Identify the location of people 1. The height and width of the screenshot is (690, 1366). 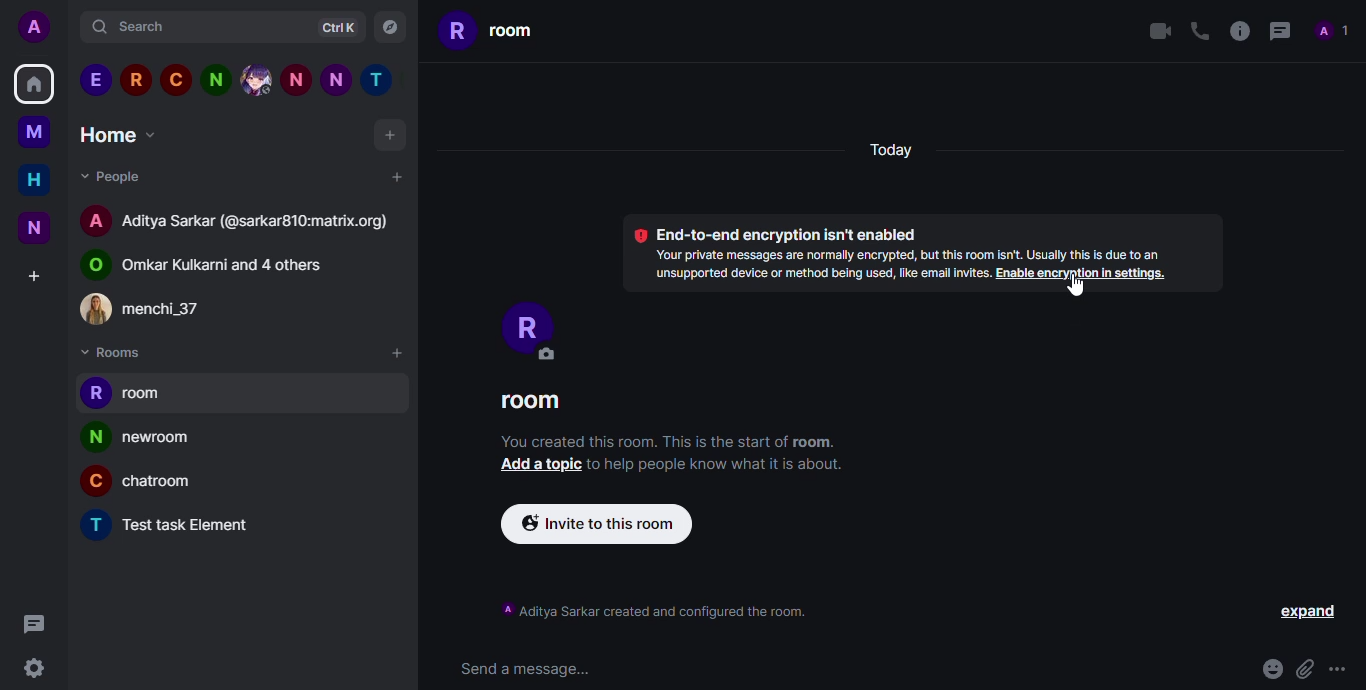
(95, 80).